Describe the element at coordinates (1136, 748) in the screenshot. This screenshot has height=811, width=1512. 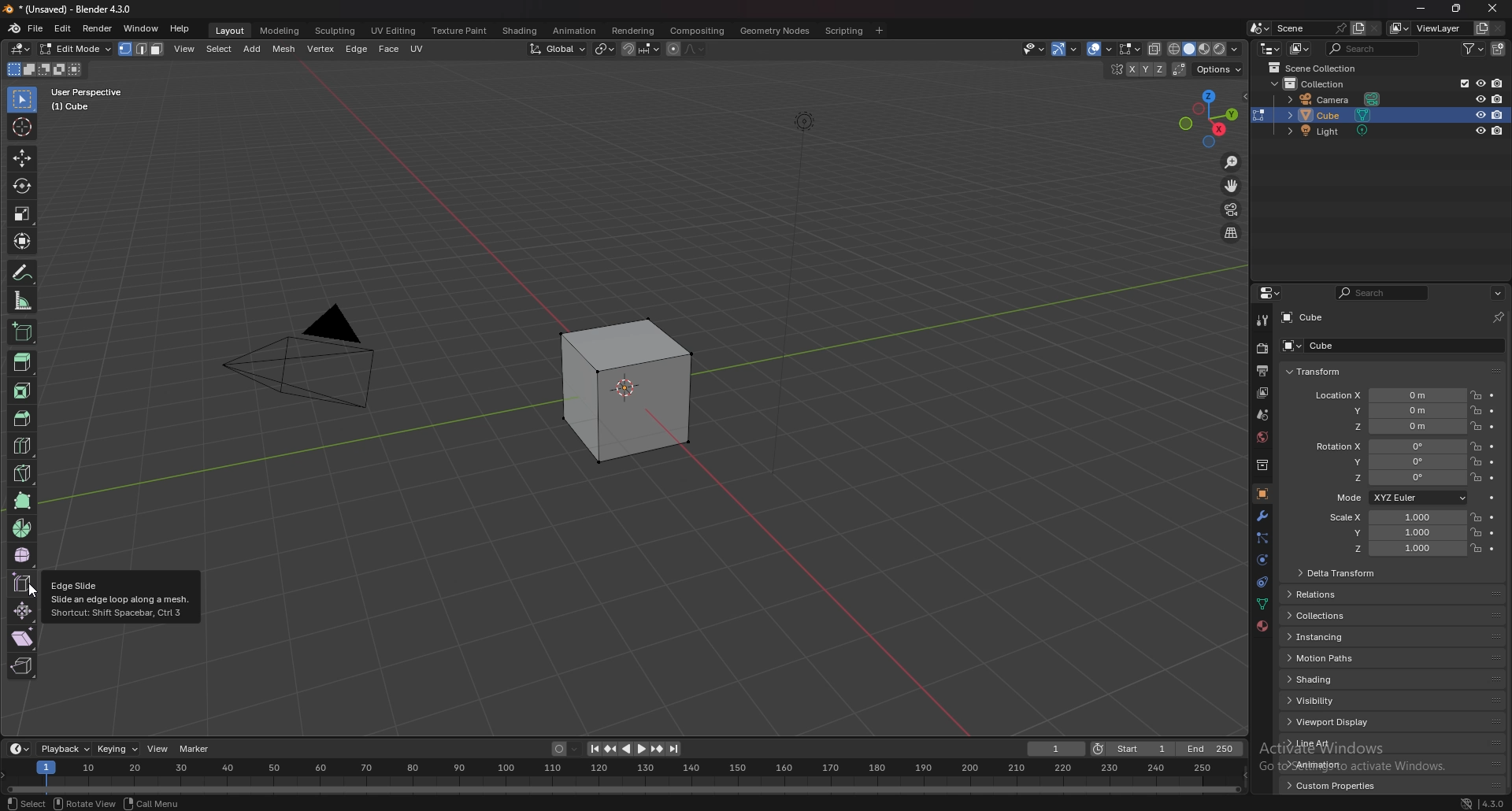
I see `start frame` at that location.